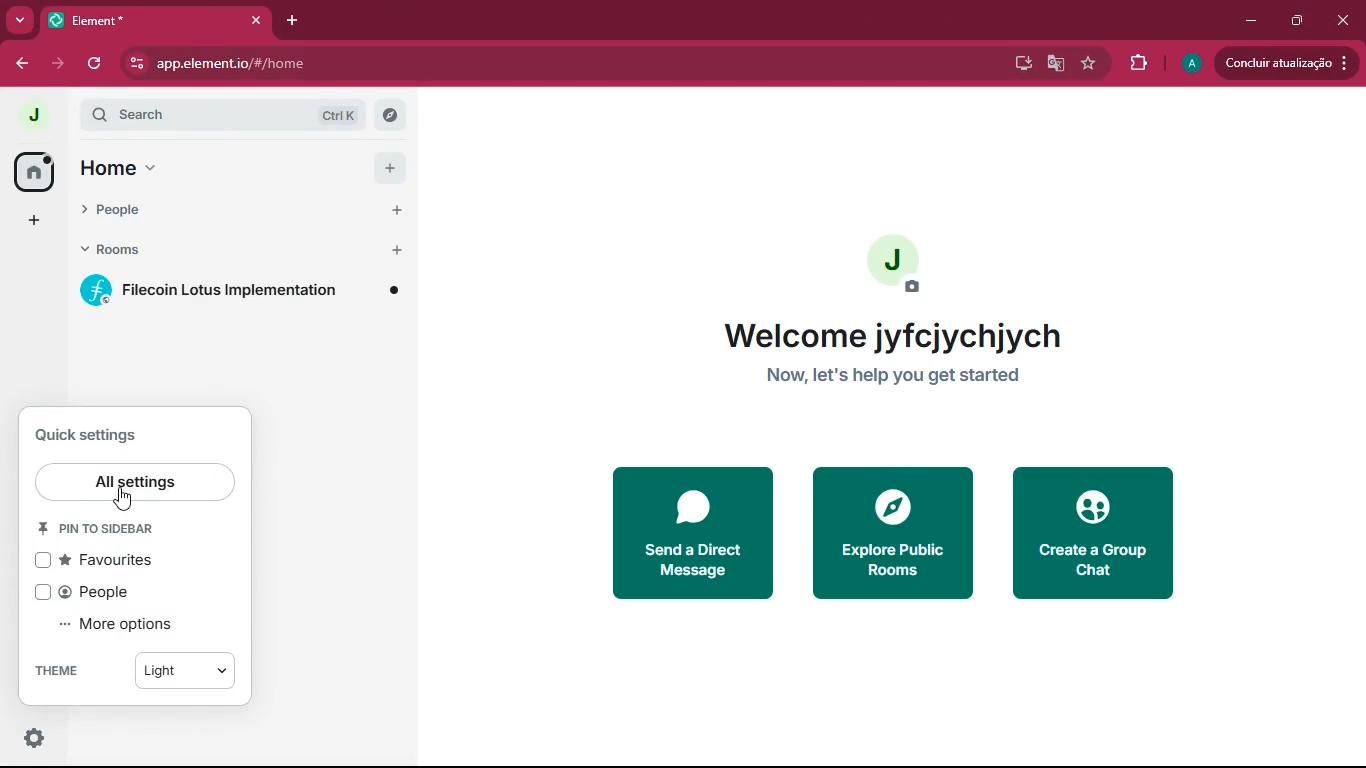  I want to click on extensions, so click(1139, 64).